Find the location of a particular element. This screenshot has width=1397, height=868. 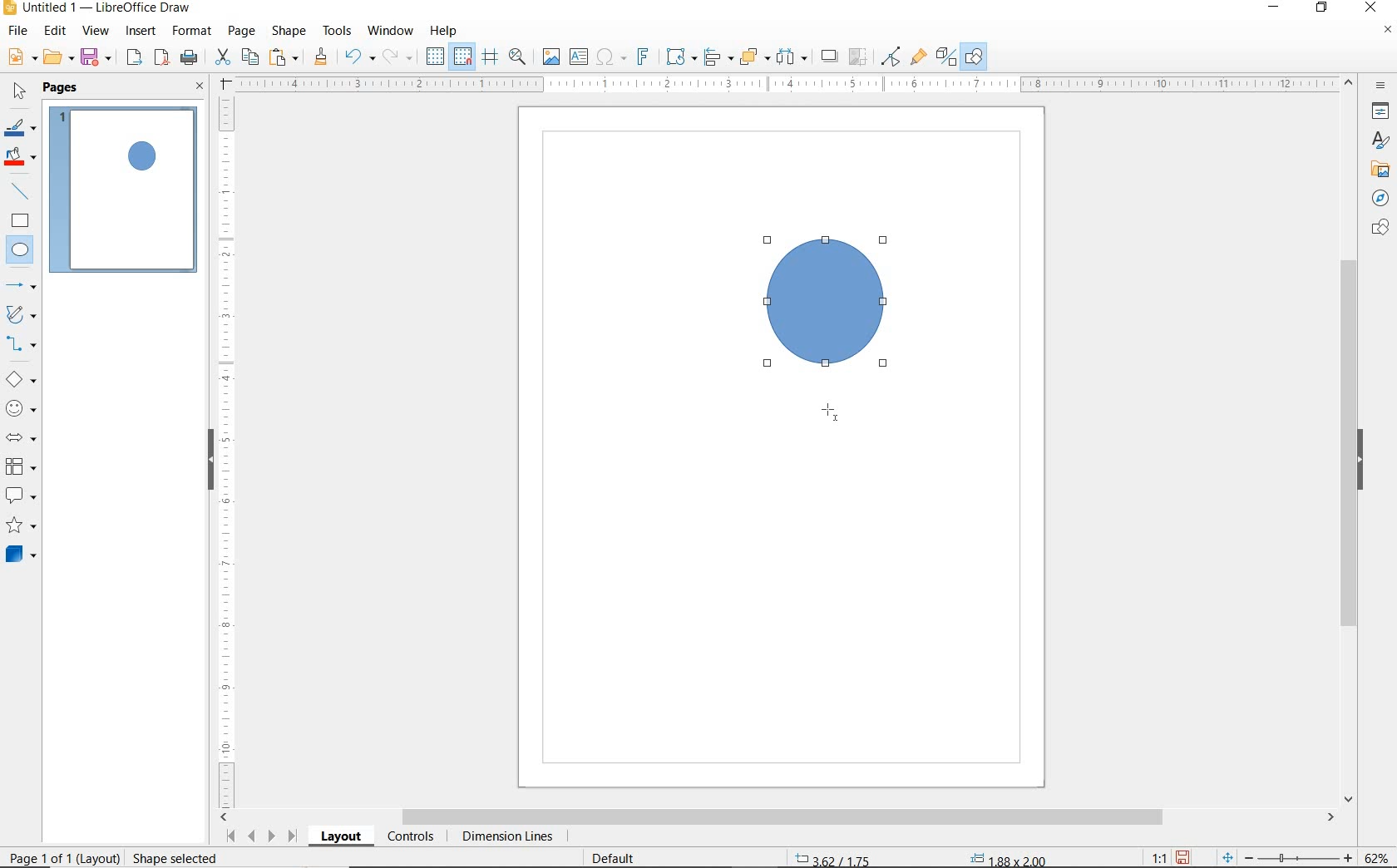

LINE COLOR is located at coordinates (20, 127).